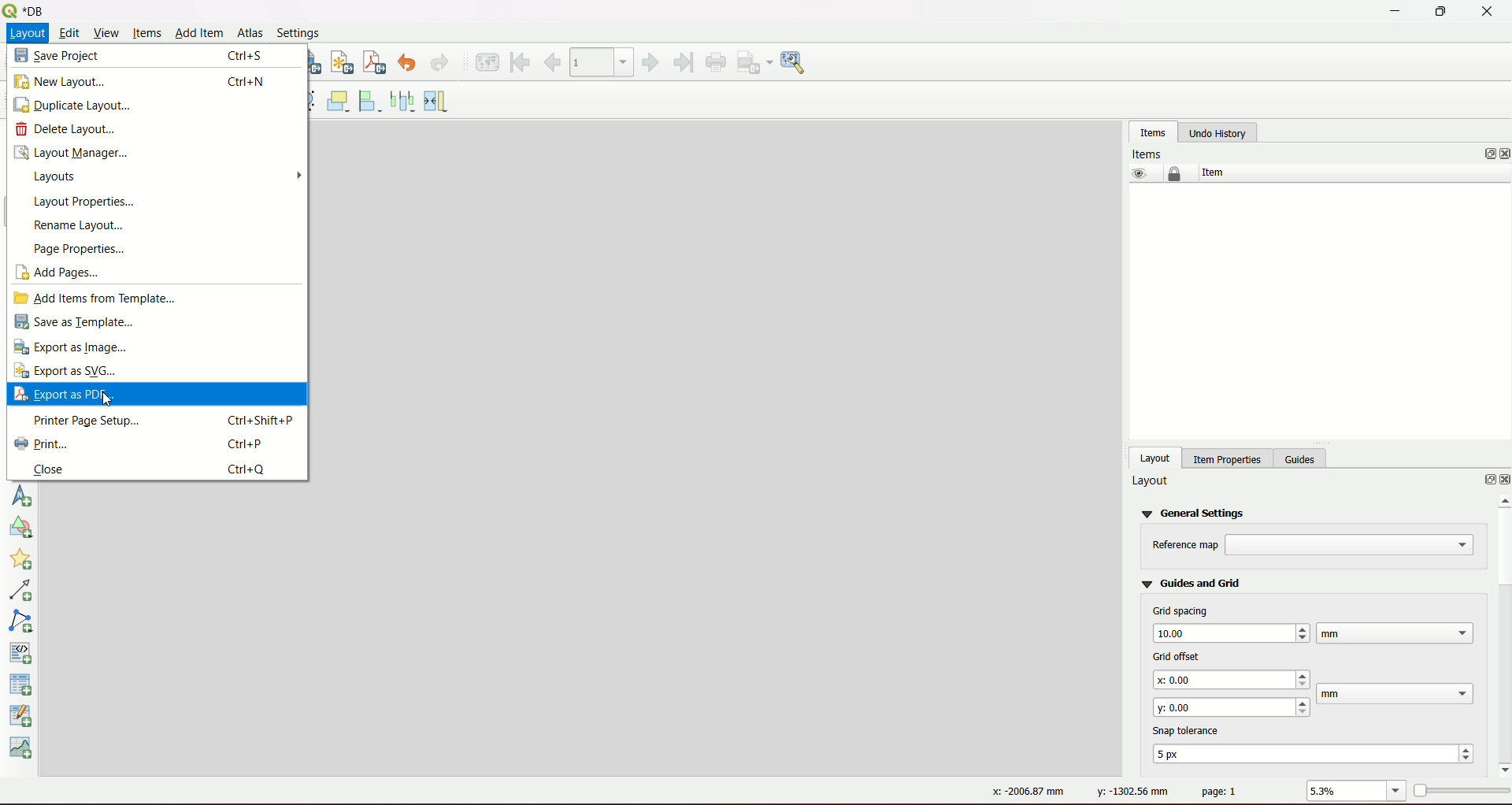  What do you see at coordinates (79, 249) in the screenshot?
I see `page properties` at bounding box center [79, 249].